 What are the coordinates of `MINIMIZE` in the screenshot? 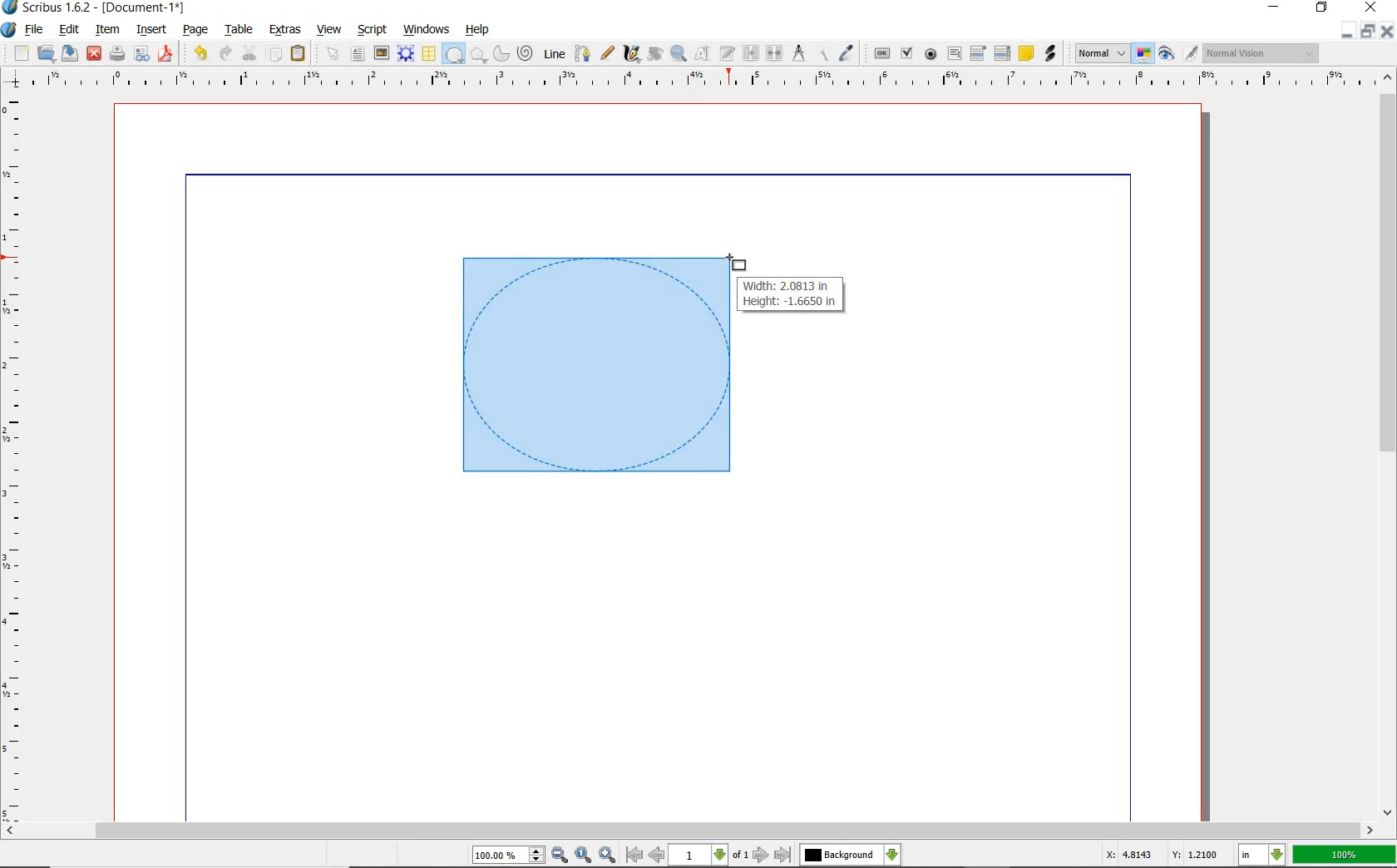 It's located at (1346, 32).